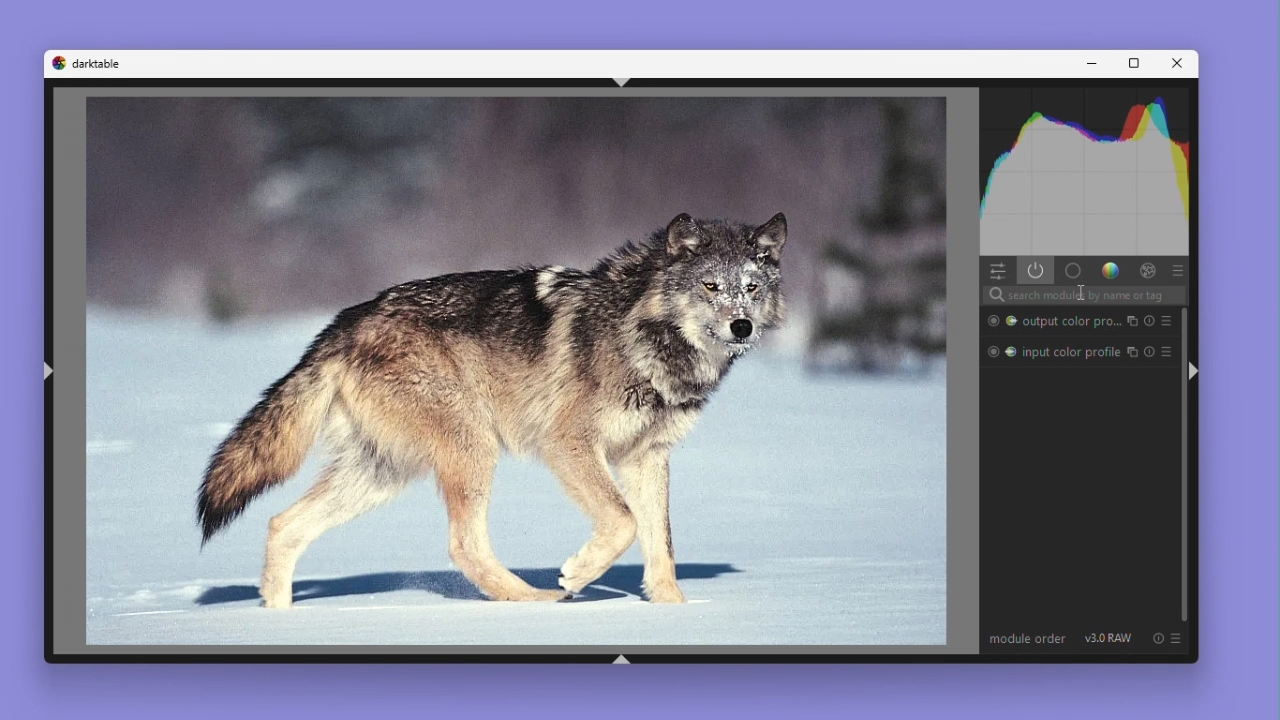  What do you see at coordinates (1108, 638) in the screenshot?
I see `V 3.0 RAW` at bounding box center [1108, 638].